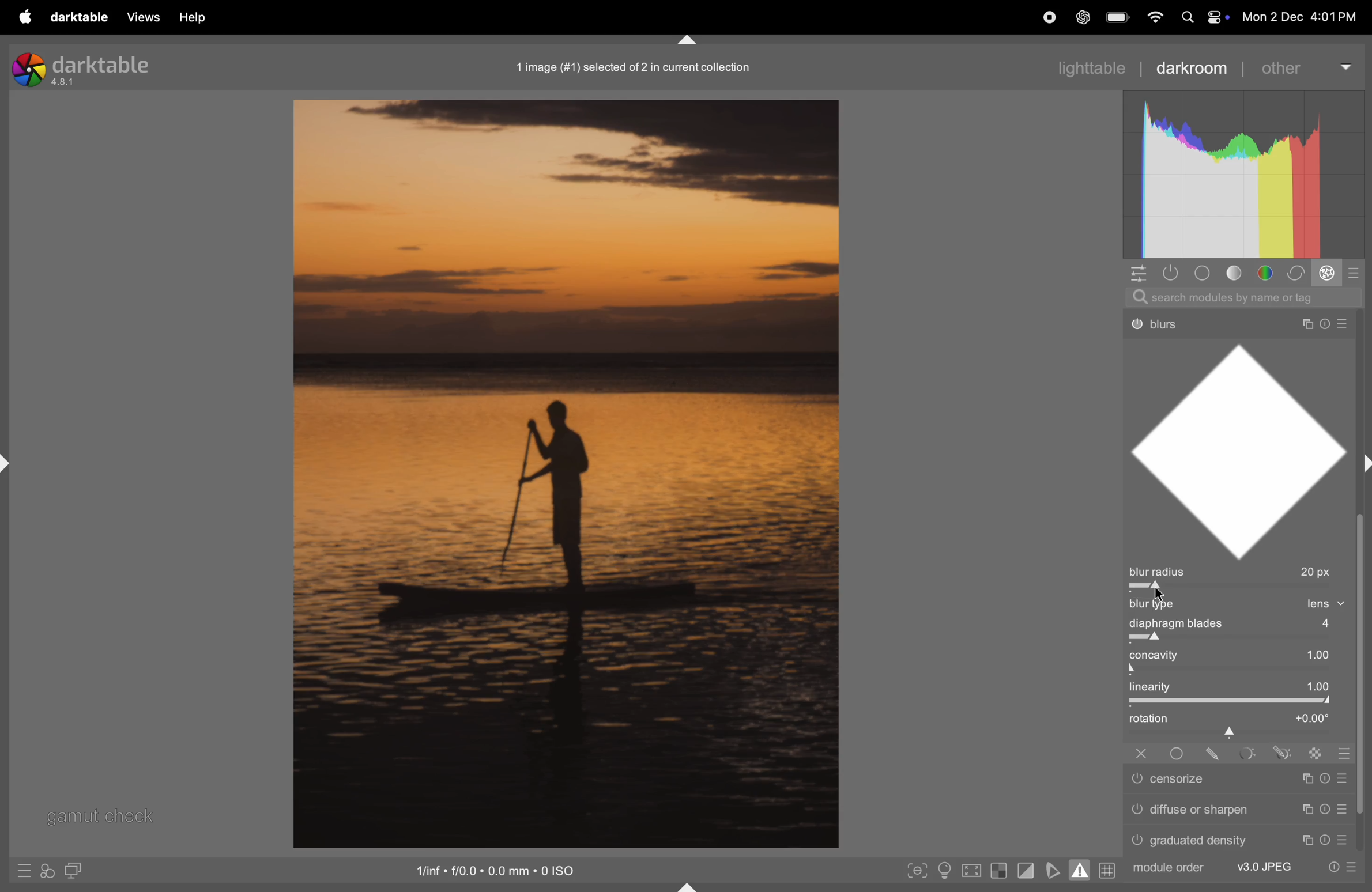  I want to click on toggle soft proffing, so click(1051, 870).